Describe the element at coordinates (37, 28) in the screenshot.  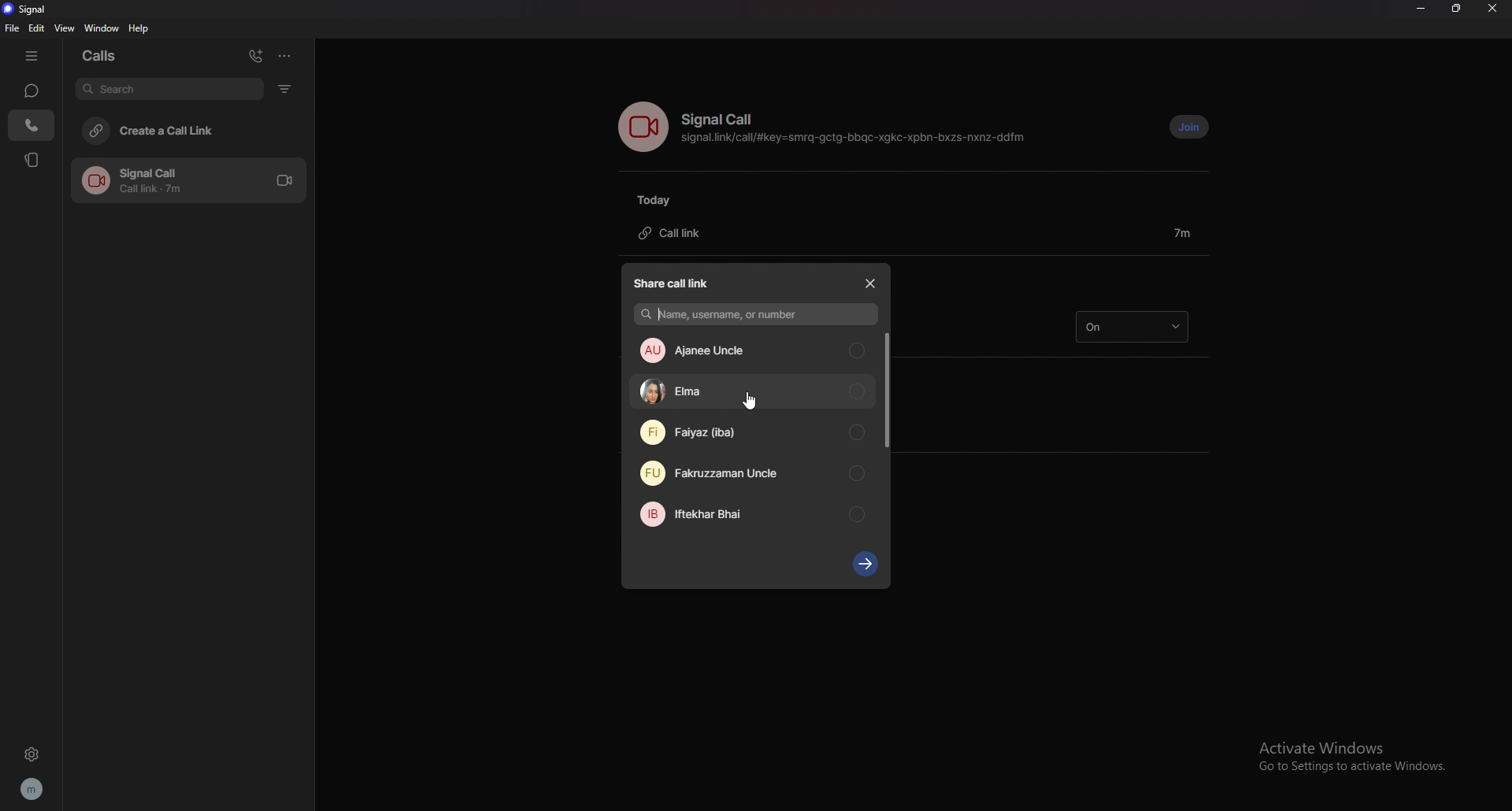
I see `edit` at that location.